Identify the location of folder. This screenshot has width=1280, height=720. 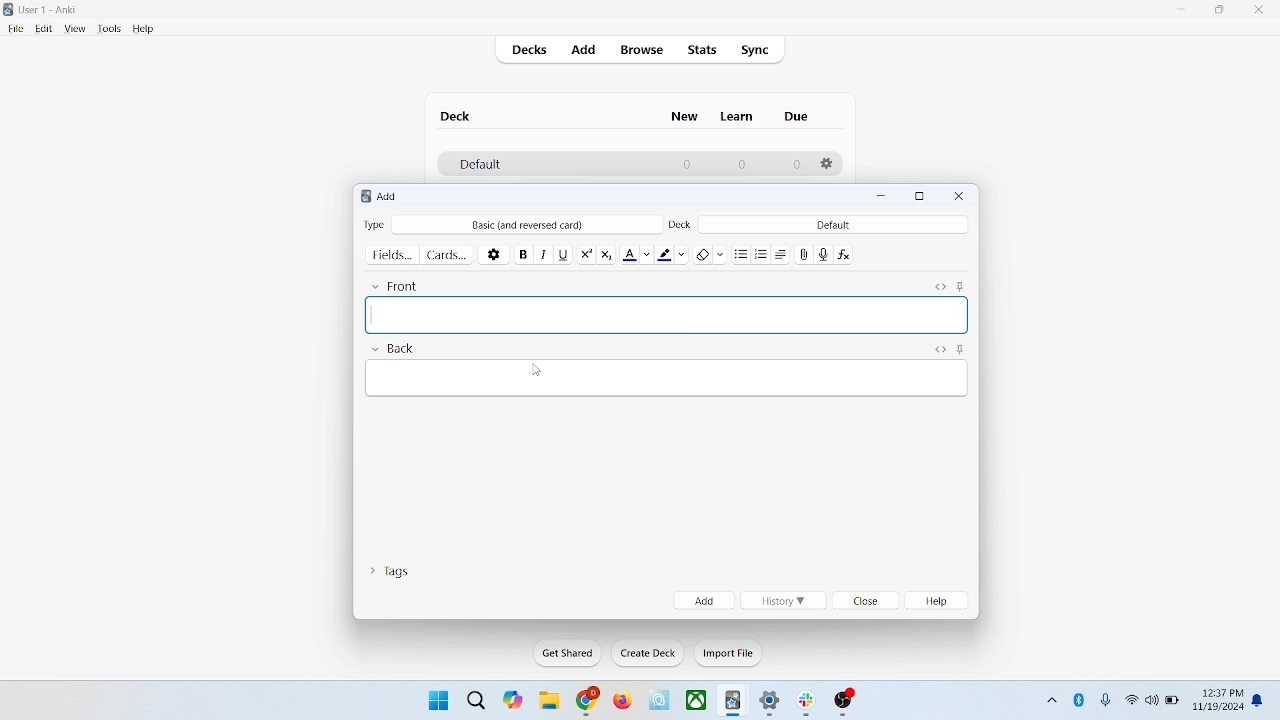
(548, 702).